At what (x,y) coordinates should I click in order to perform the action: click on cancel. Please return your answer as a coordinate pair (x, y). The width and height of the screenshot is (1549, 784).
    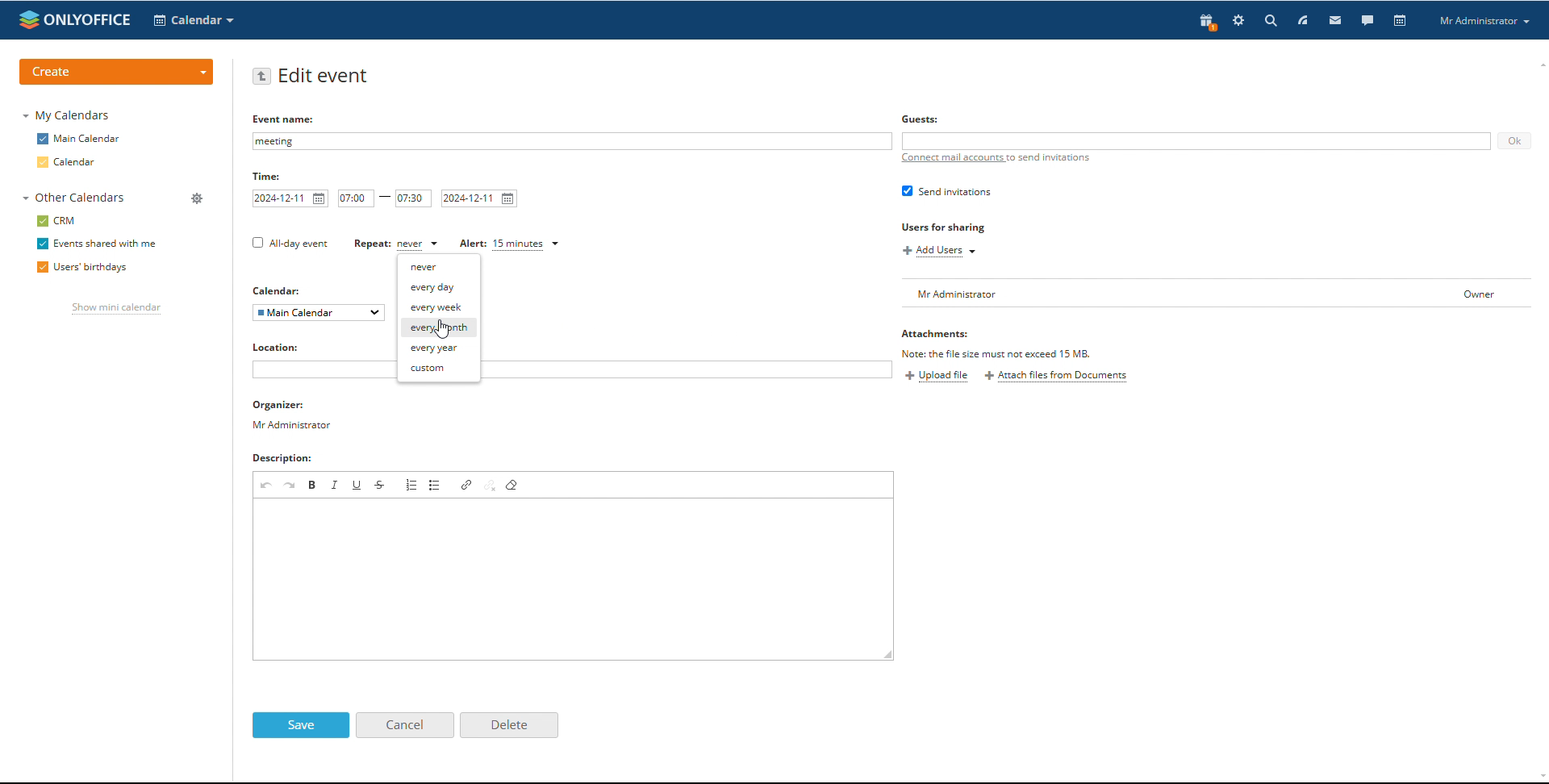
    Looking at the image, I should click on (404, 725).